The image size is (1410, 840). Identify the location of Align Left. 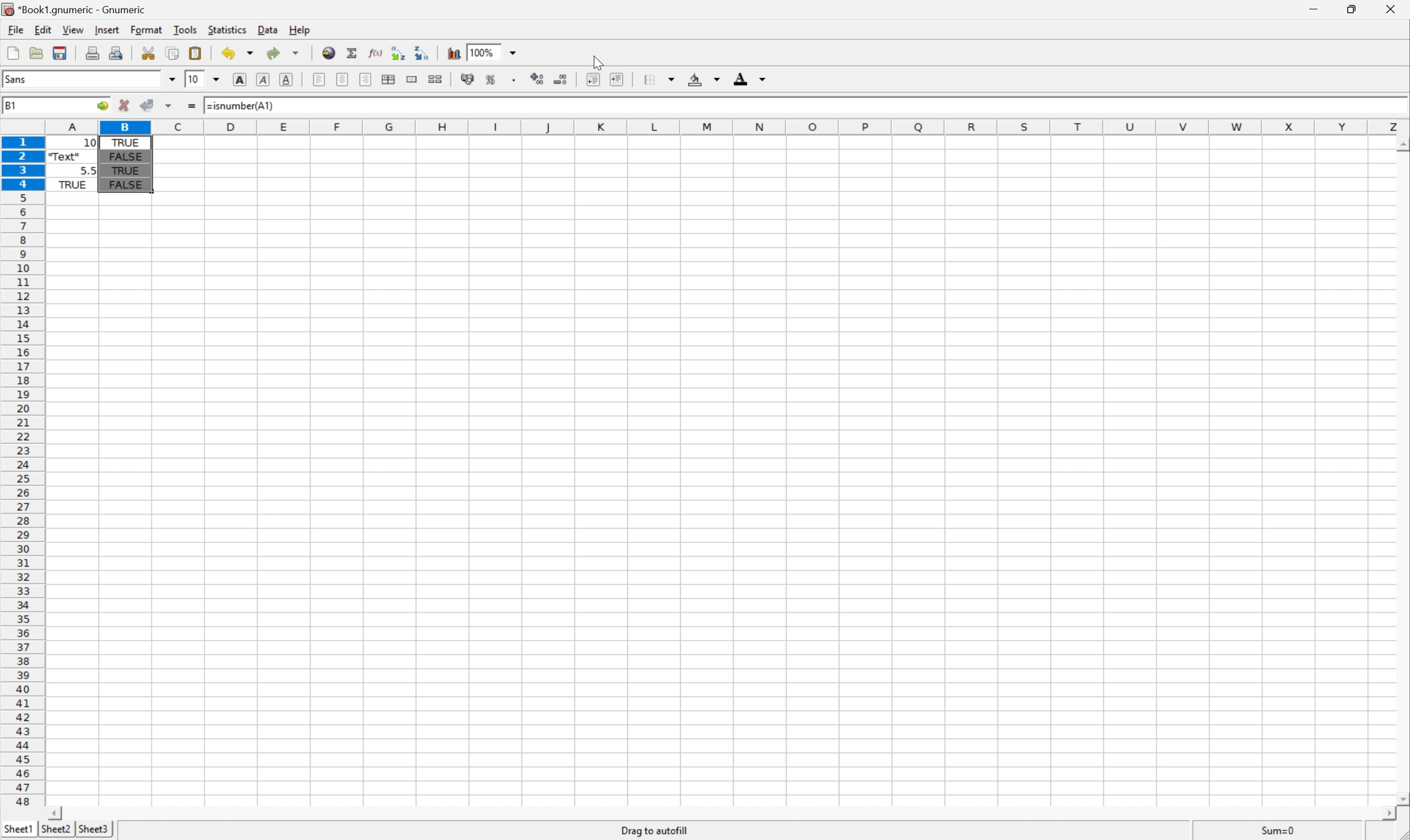
(319, 78).